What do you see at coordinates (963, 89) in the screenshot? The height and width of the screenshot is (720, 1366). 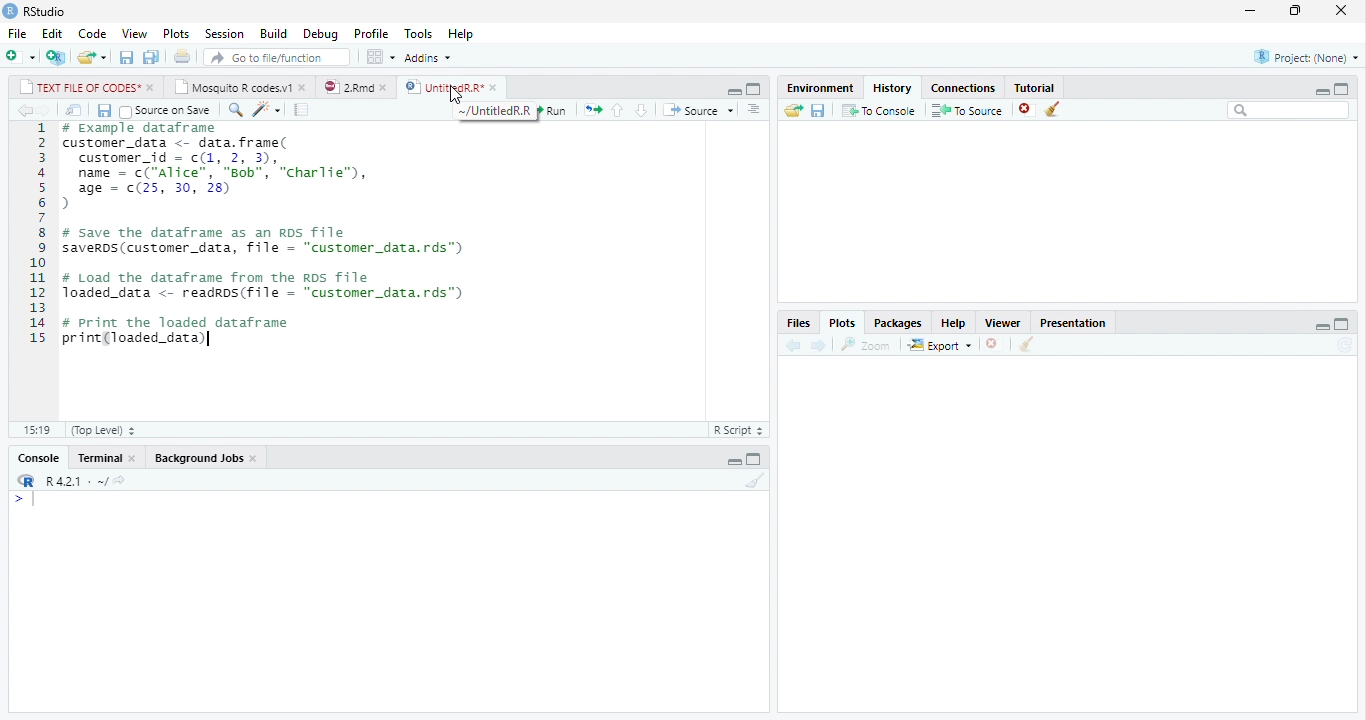 I see `Connections` at bounding box center [963, 89].